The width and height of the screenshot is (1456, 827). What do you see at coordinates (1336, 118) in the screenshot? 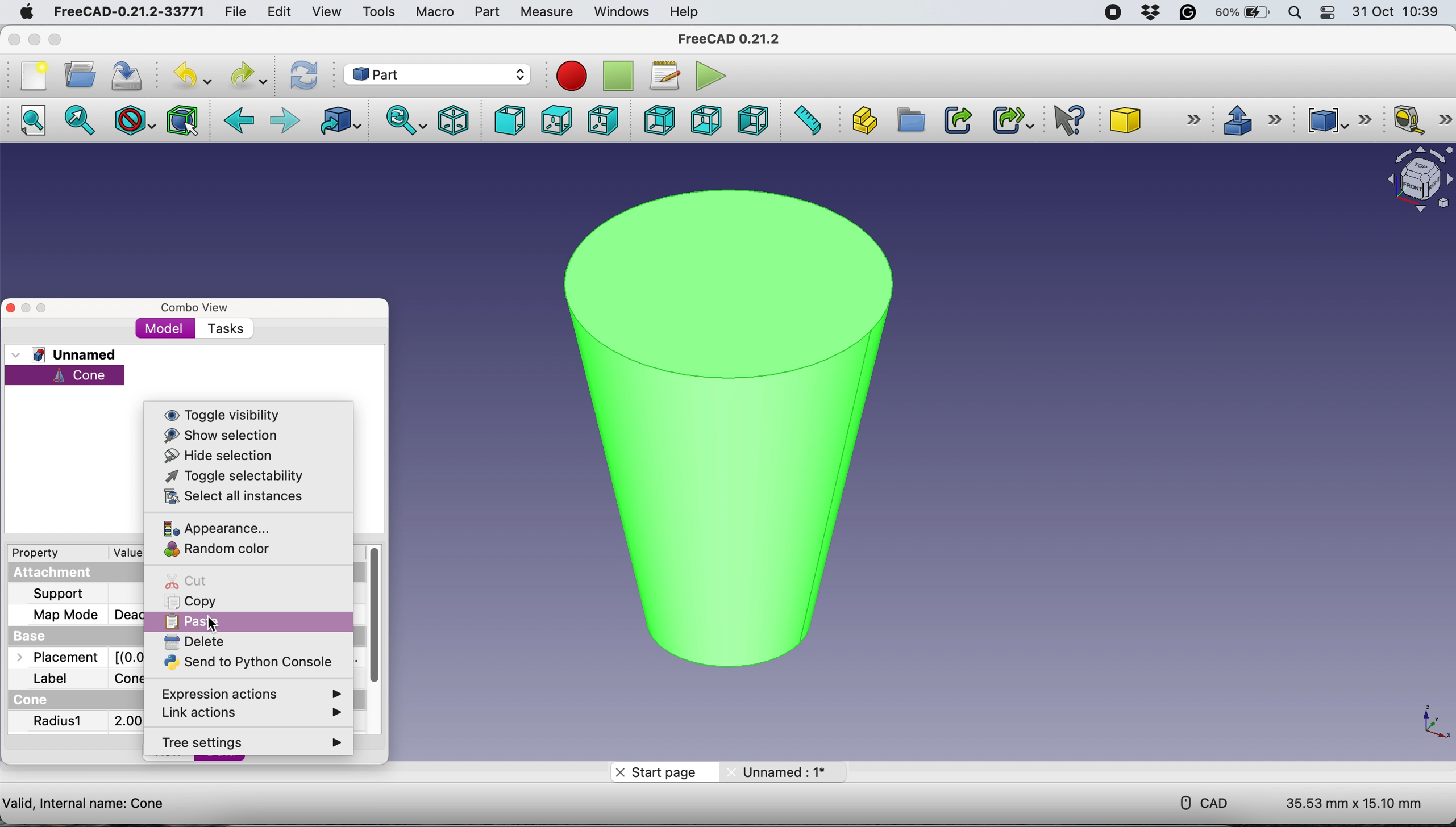
I see `compound tools` at bounding box center [1336, 118].